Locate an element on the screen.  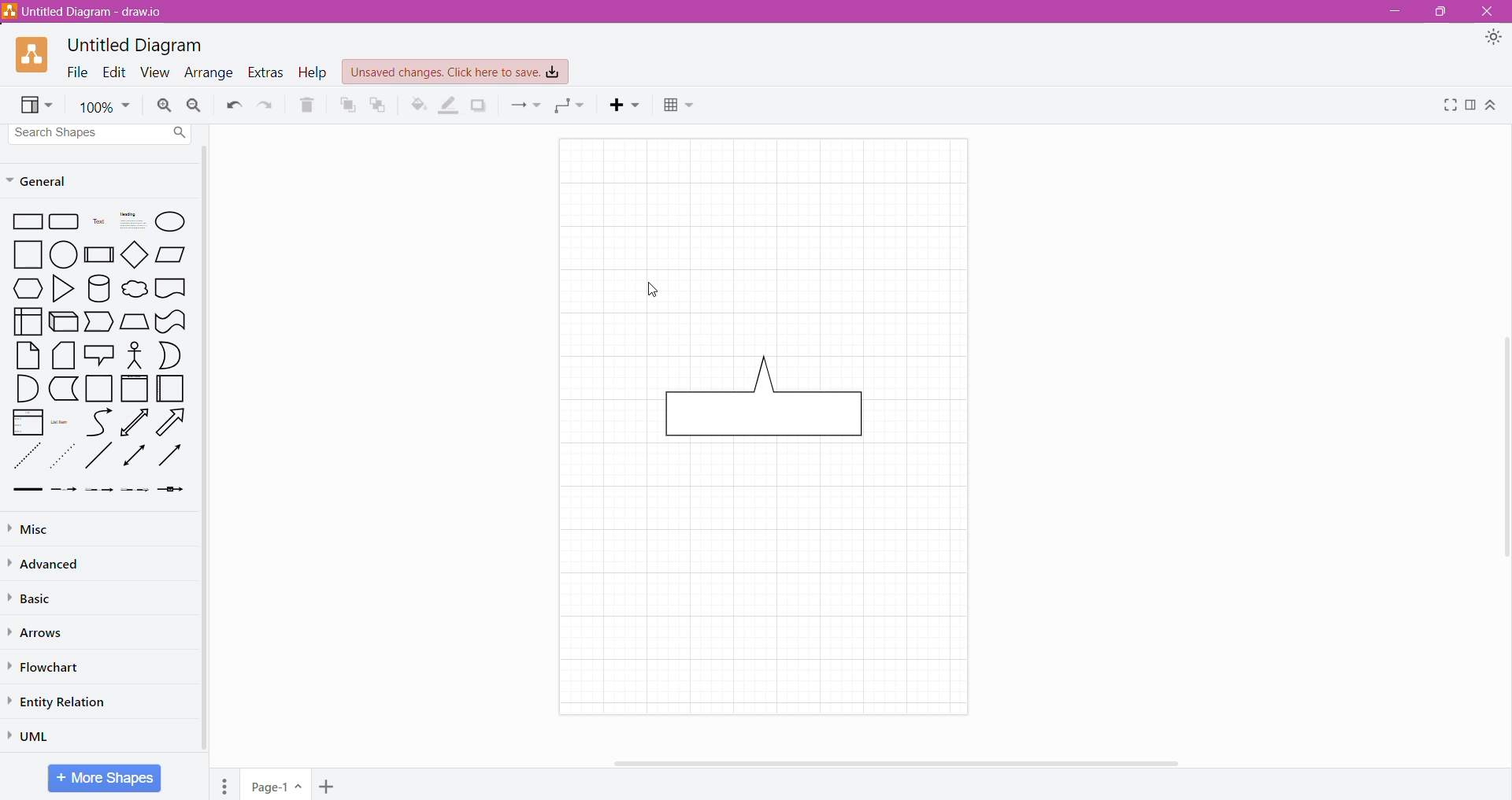
Vertical Scroll Bar is located at coordinates (206, 451).